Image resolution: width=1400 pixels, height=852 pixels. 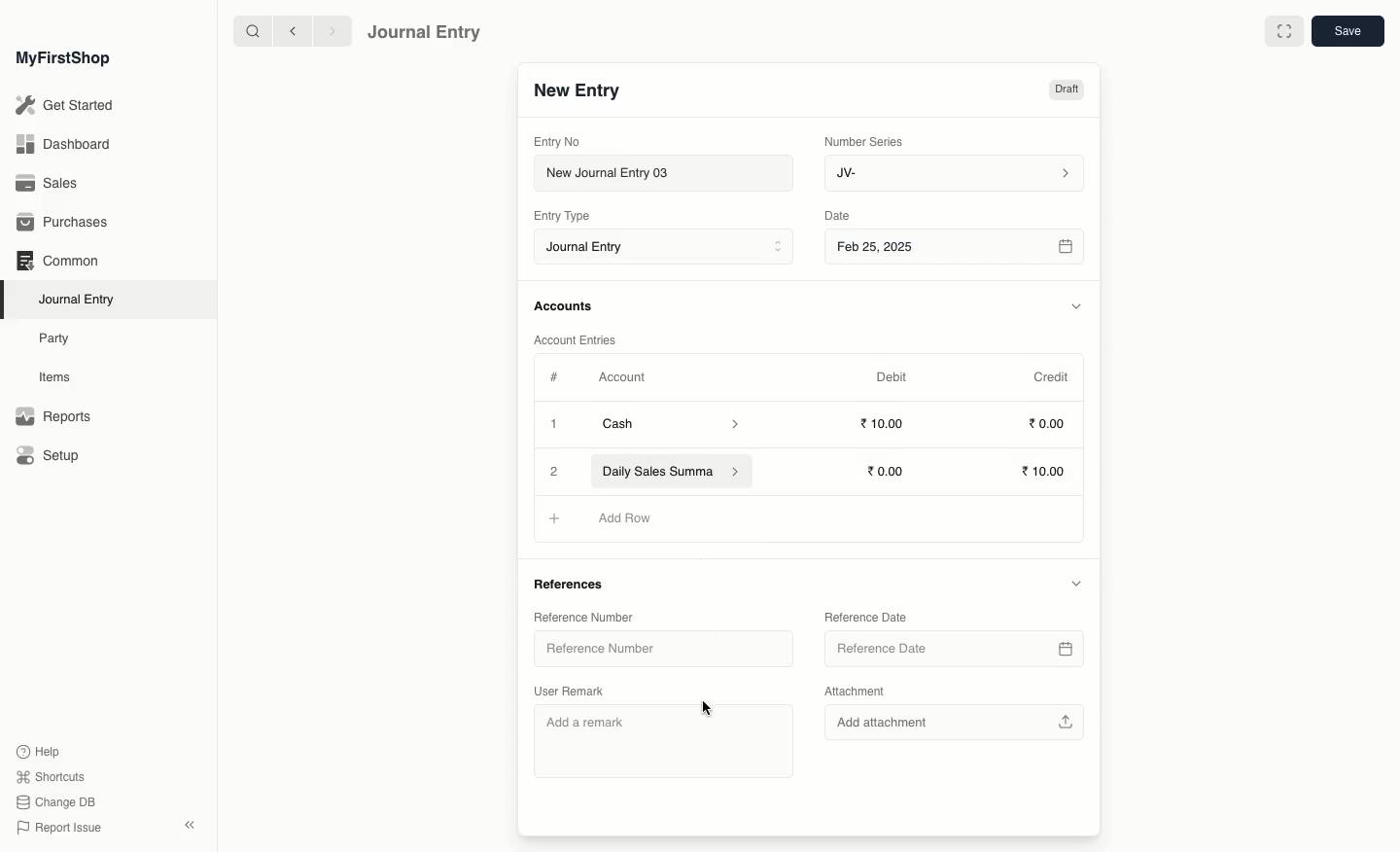 What do you see at coordinates (66, 106) in the screenshot?
I see `Get Started` at bounding box center [66, 106].